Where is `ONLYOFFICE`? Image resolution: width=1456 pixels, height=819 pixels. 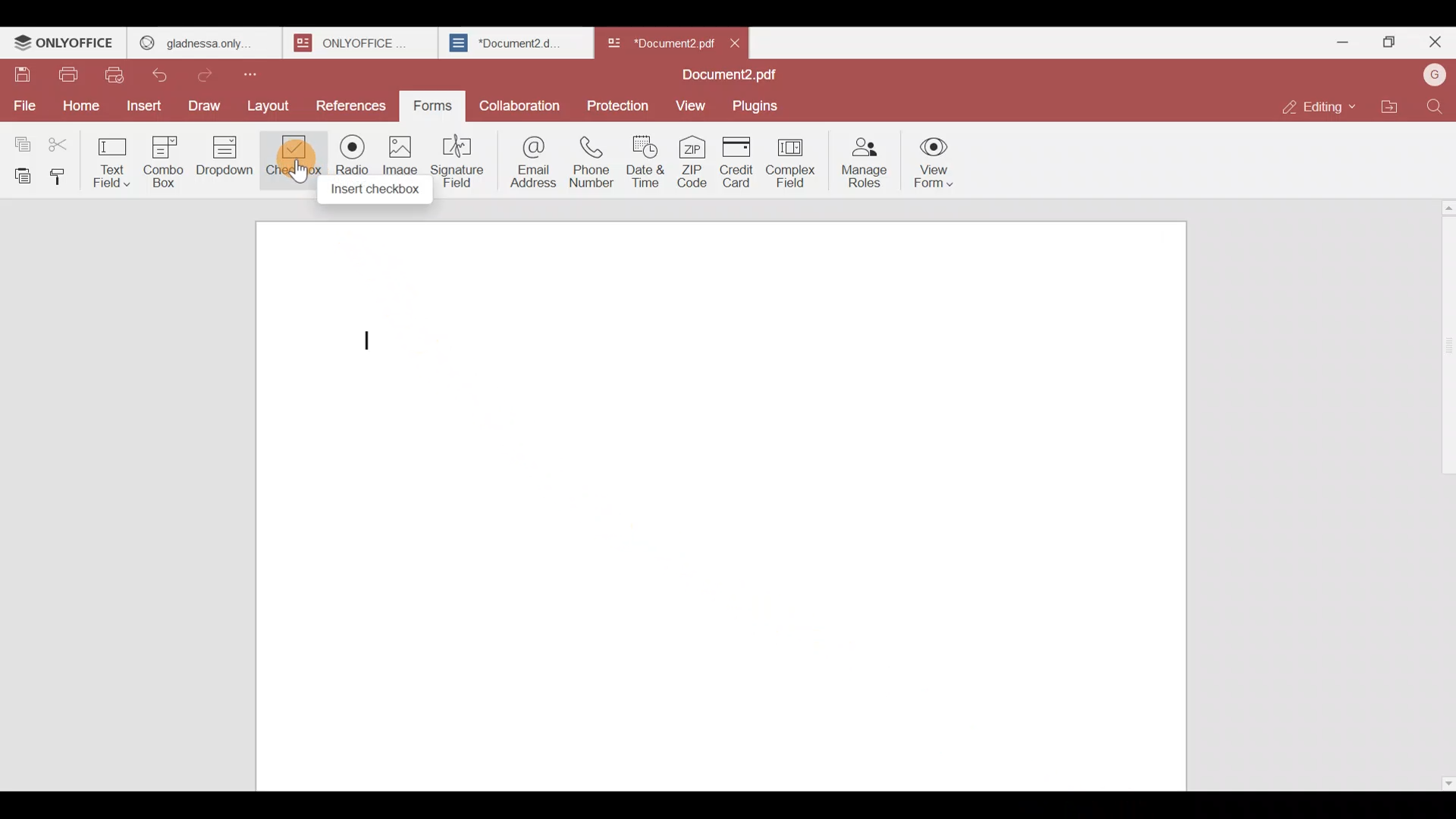 ONLYOFFICE is located at coordinates (64, 45).